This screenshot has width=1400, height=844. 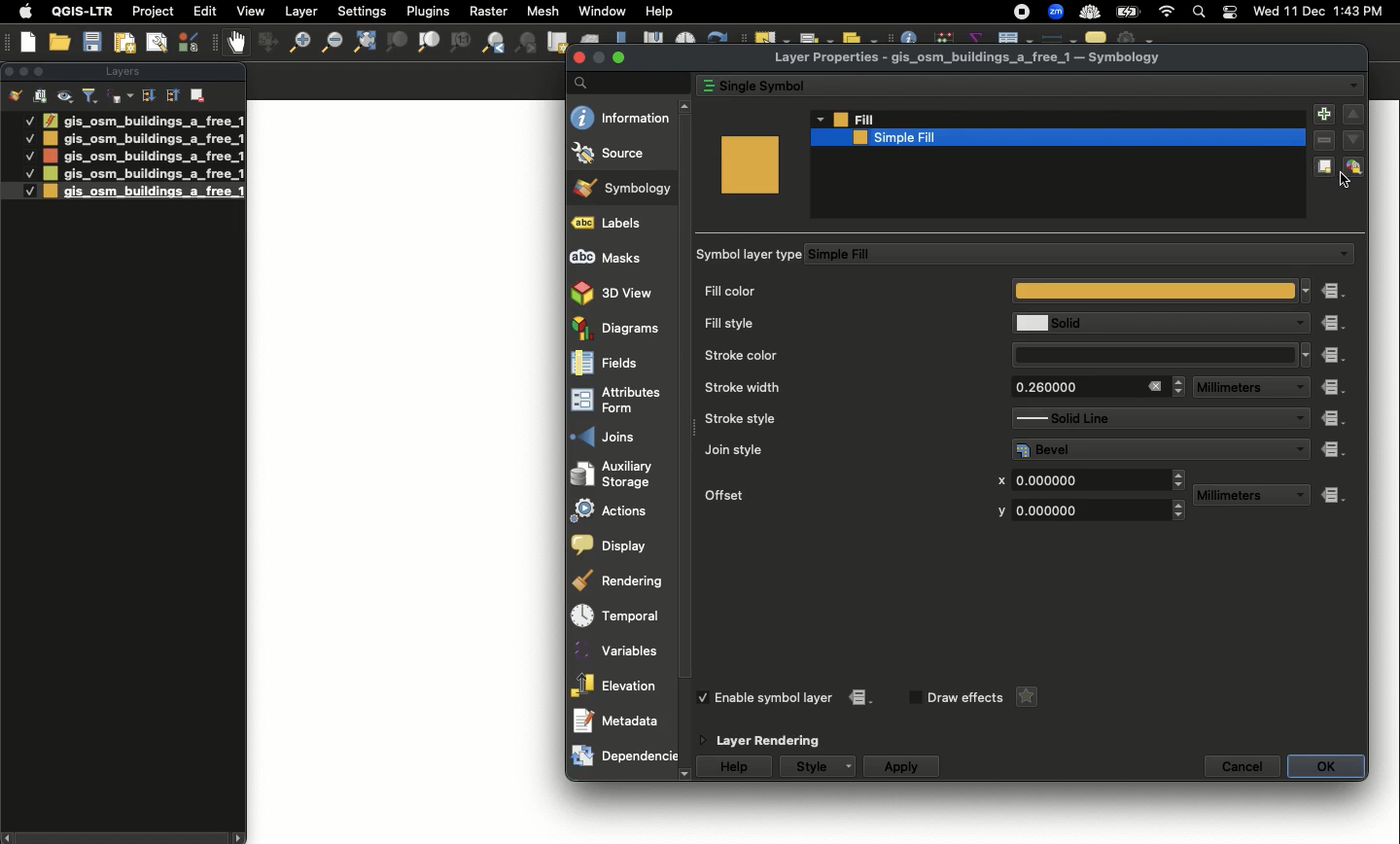 What do you see at coordinates (1236, 496) in the screenshot?
I see `Millimeters` at bounding box center [1236, 496].